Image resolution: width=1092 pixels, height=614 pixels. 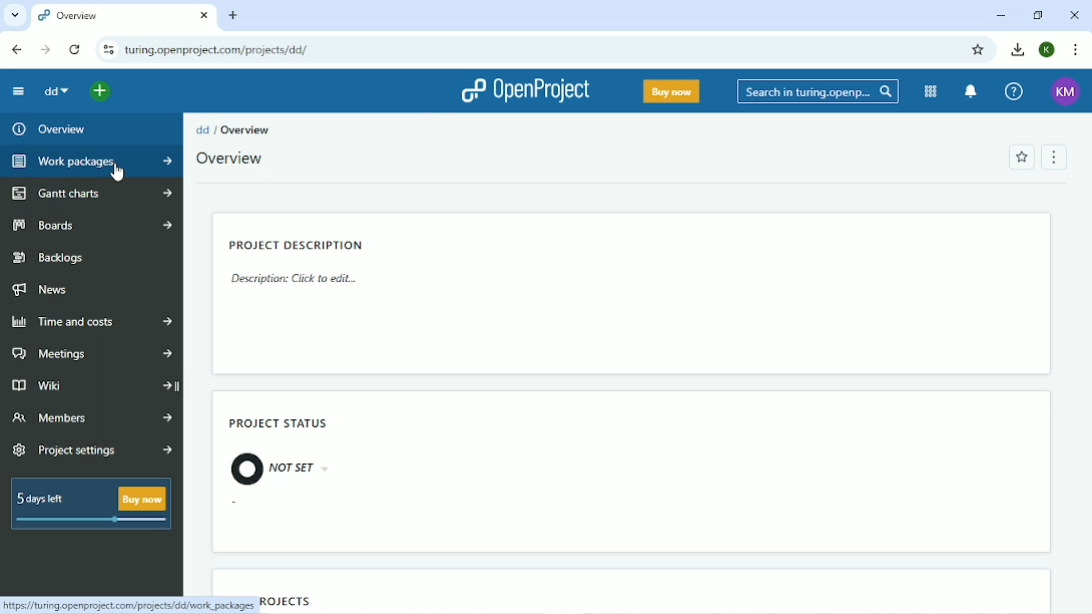 I want to click on OpenProject, so click(x=525, y=91).